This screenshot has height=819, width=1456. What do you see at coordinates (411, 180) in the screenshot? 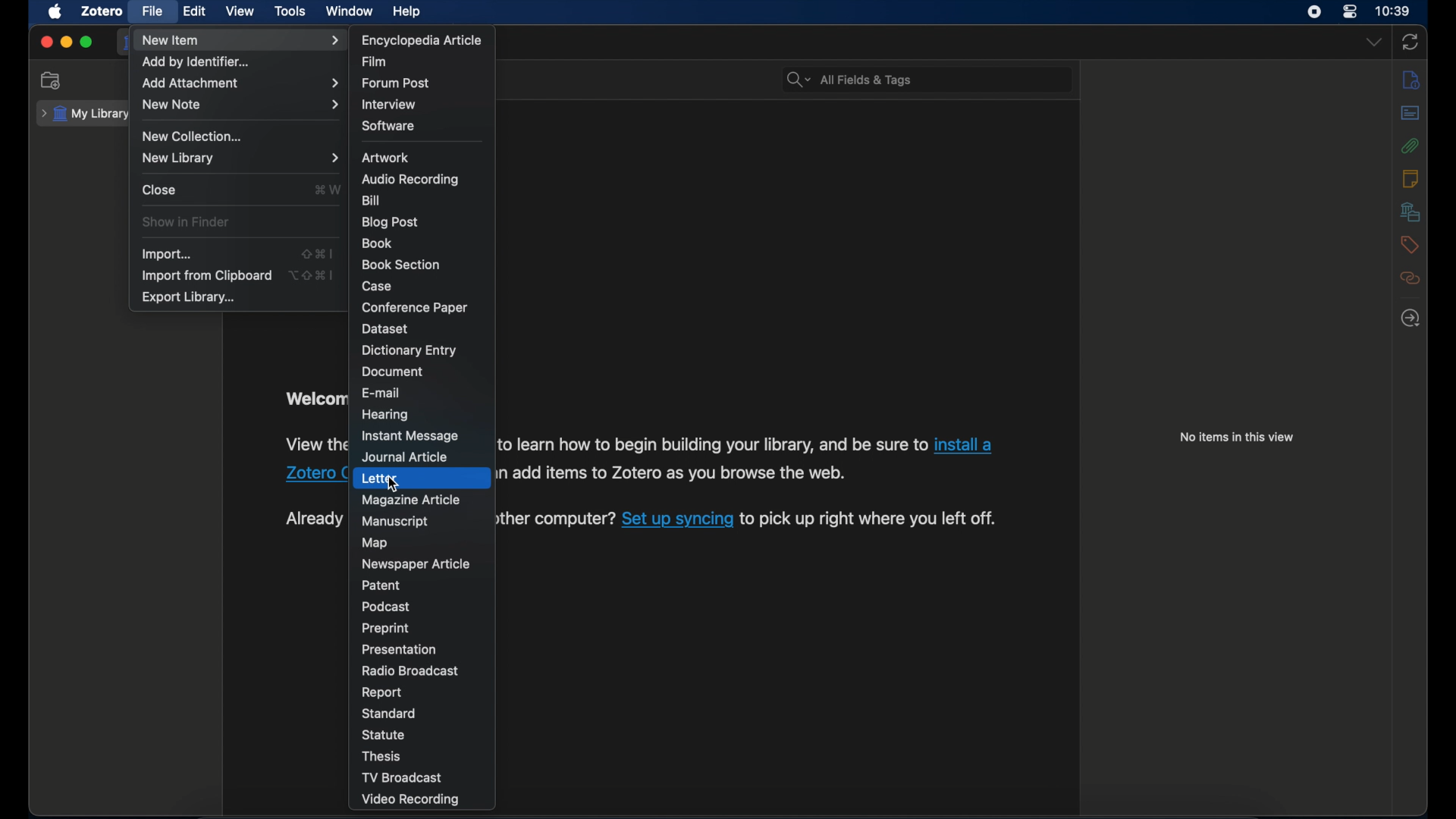
I see `audio recording` at bounding box center [411, 180].